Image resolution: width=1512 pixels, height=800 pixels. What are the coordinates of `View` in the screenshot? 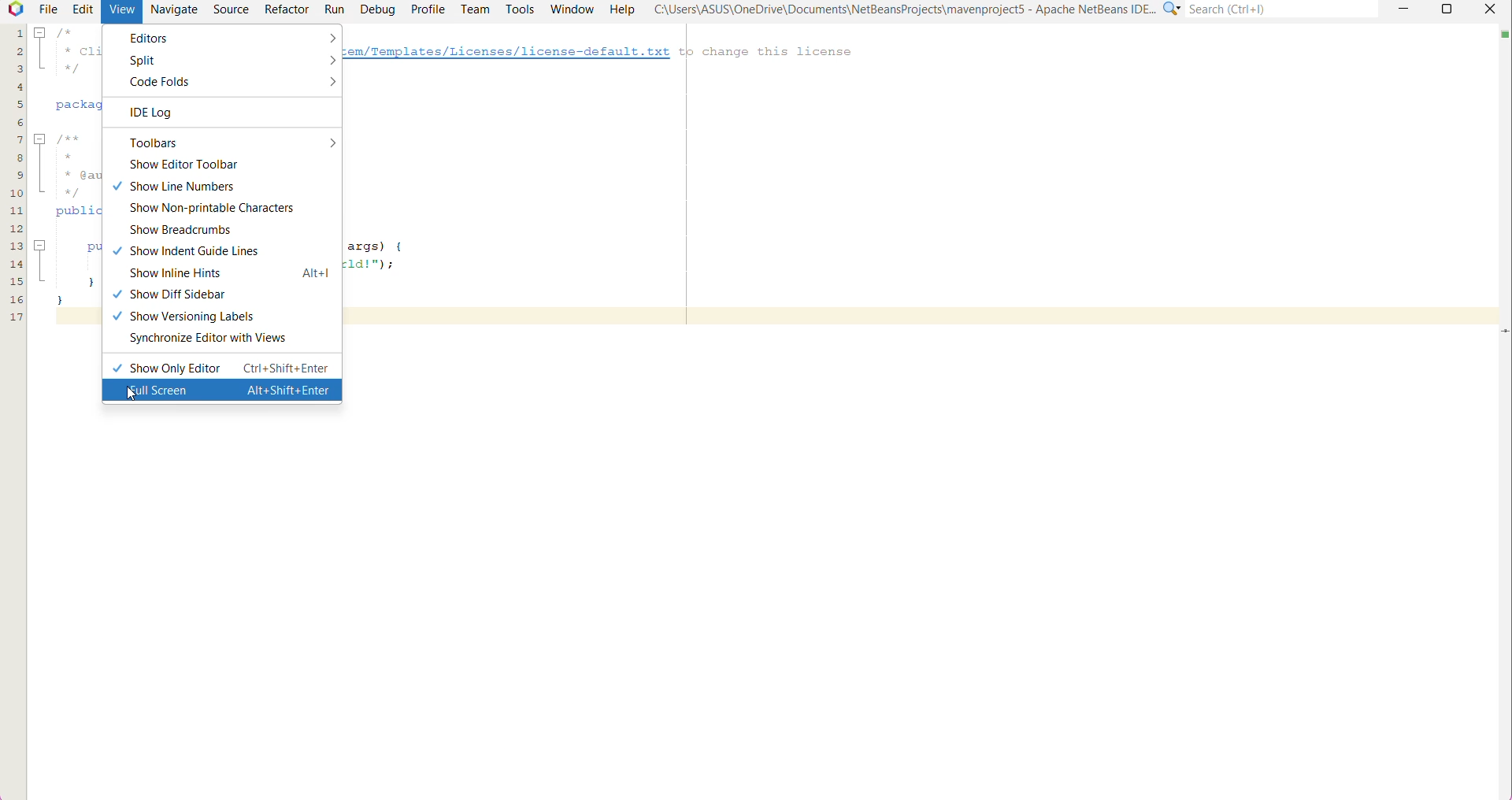 It's located at (122, 12).